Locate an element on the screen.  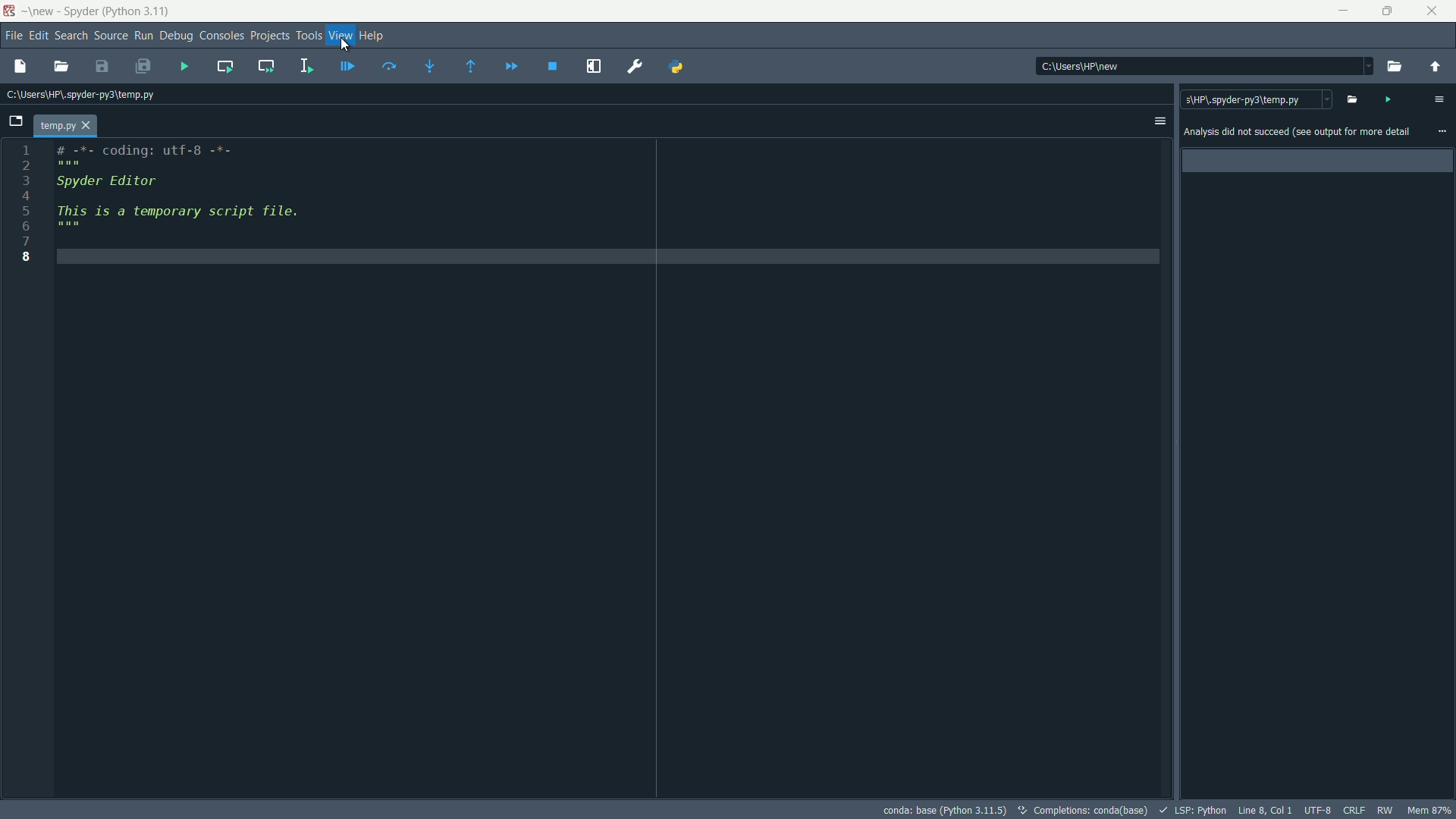
debug file is located at coordinates (350, 65).